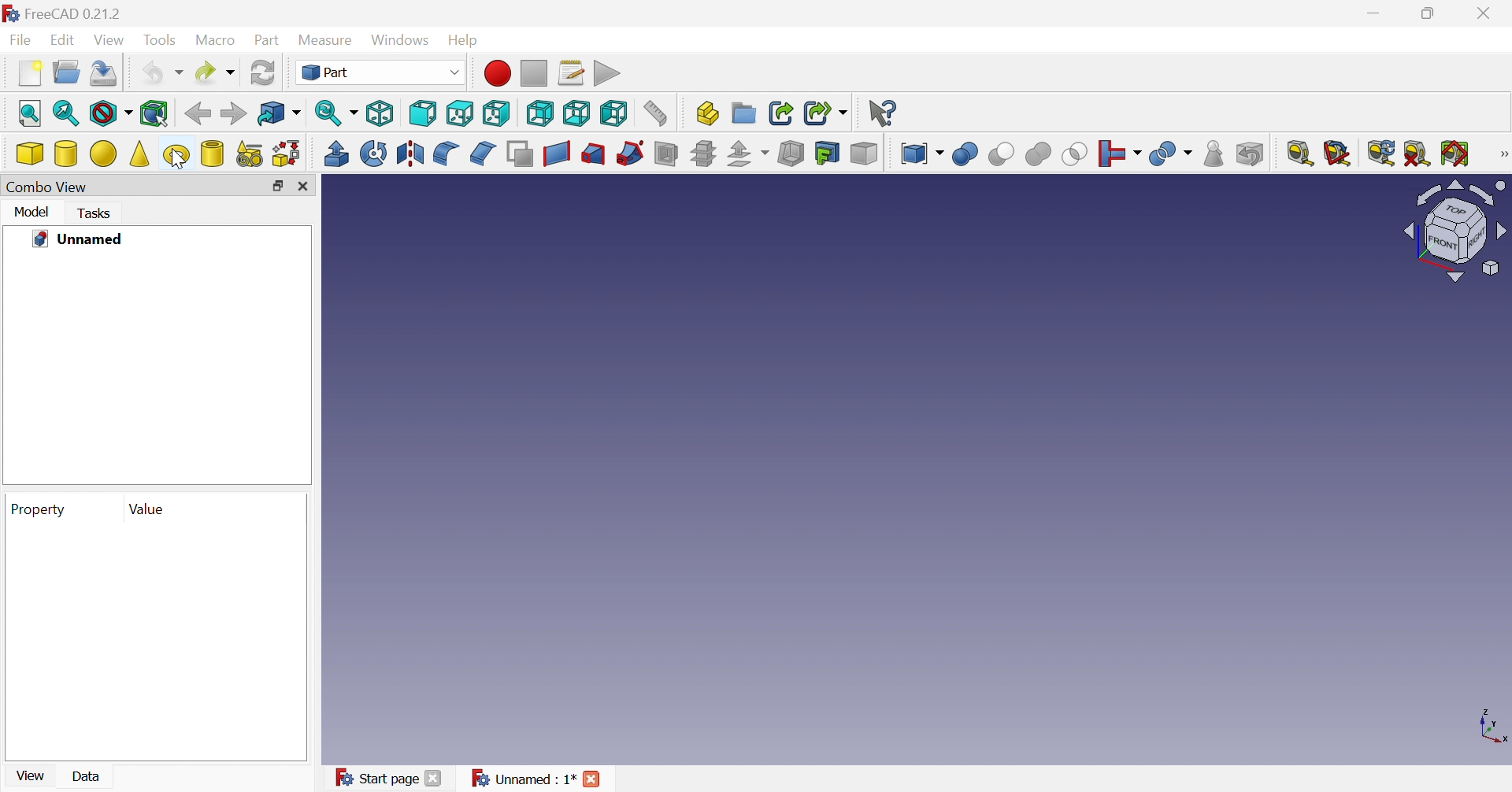 This screenshot has width=1512, height=792. I want to click on Check geometry, so click(1172, 155).